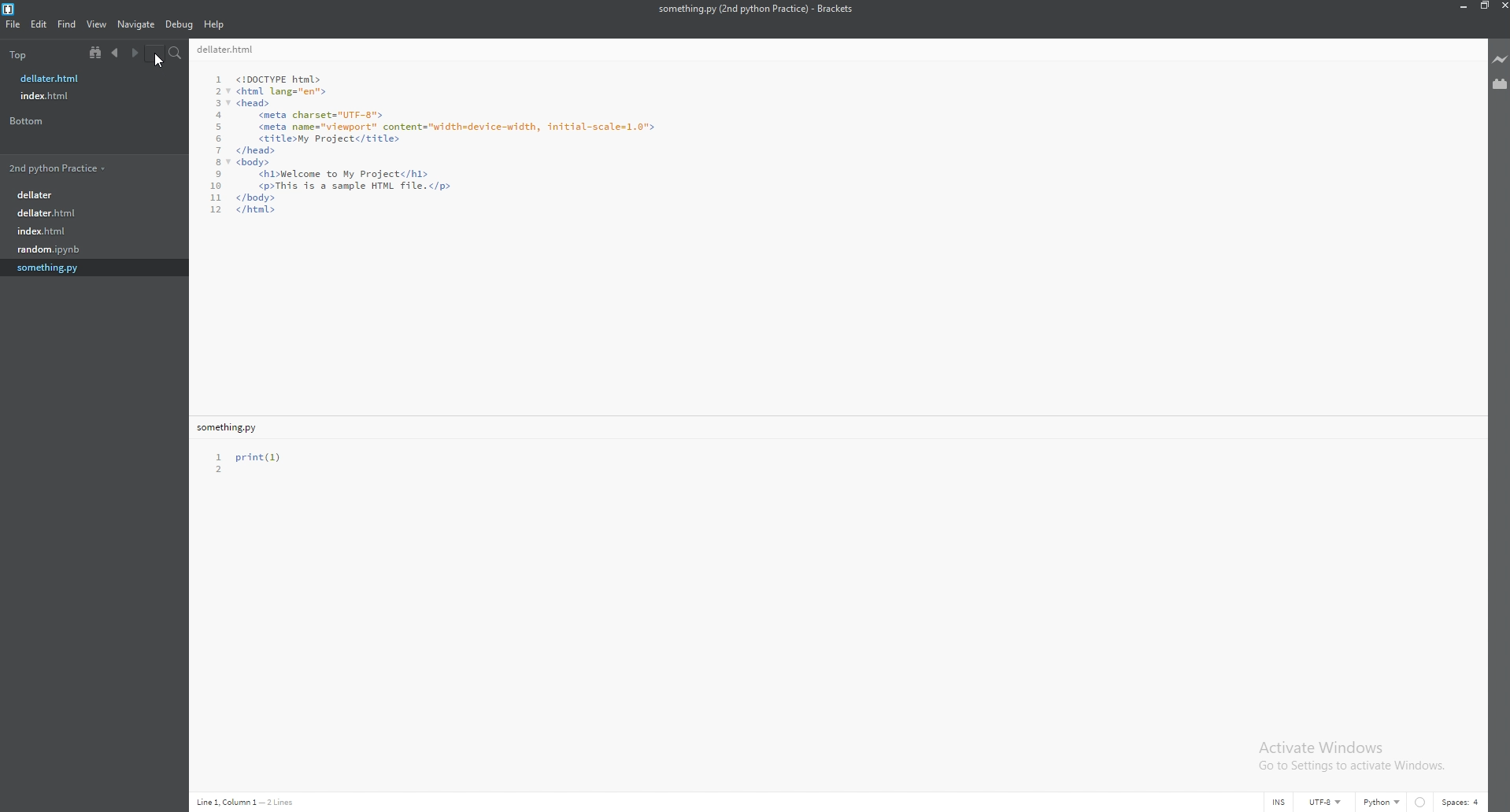 The height and width of the screenshot is (812, 1510). Describe the element at coordinates (13, 24) in the screenshot. I see `file` at that location.